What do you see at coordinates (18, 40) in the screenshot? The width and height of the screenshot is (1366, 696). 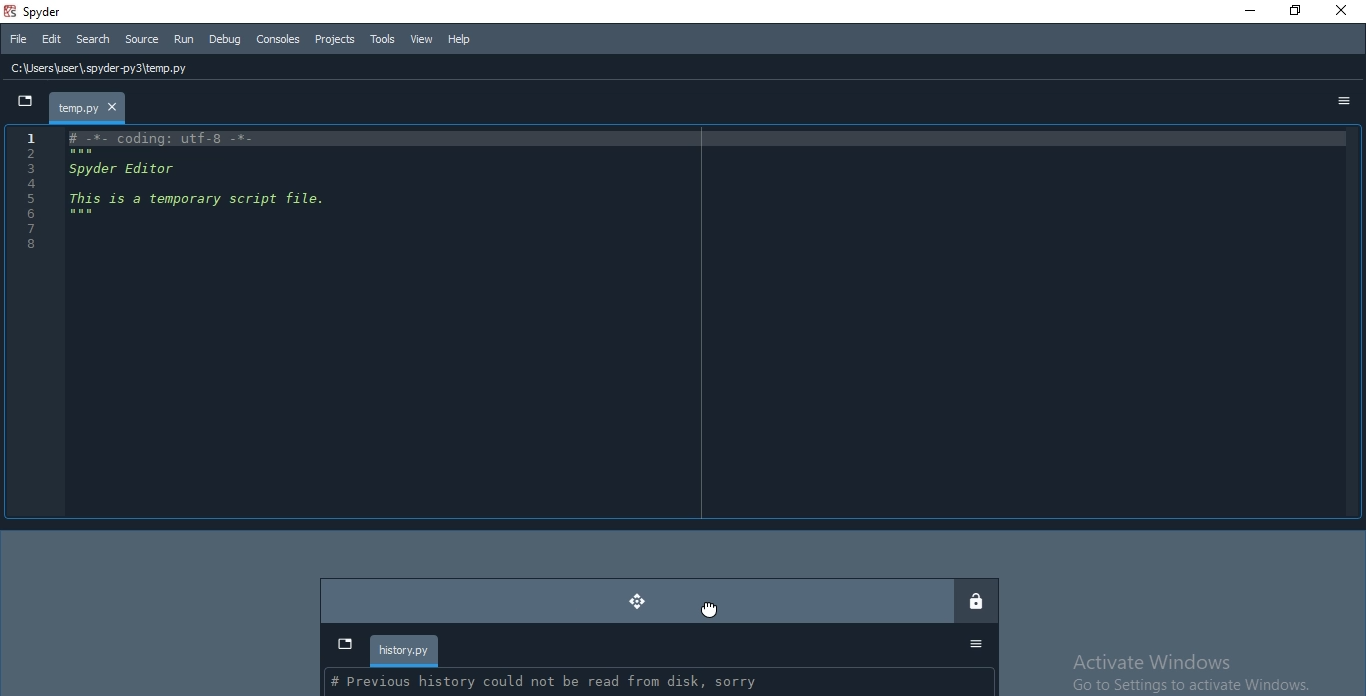 I see `File ` at bounding box center [18, 40].